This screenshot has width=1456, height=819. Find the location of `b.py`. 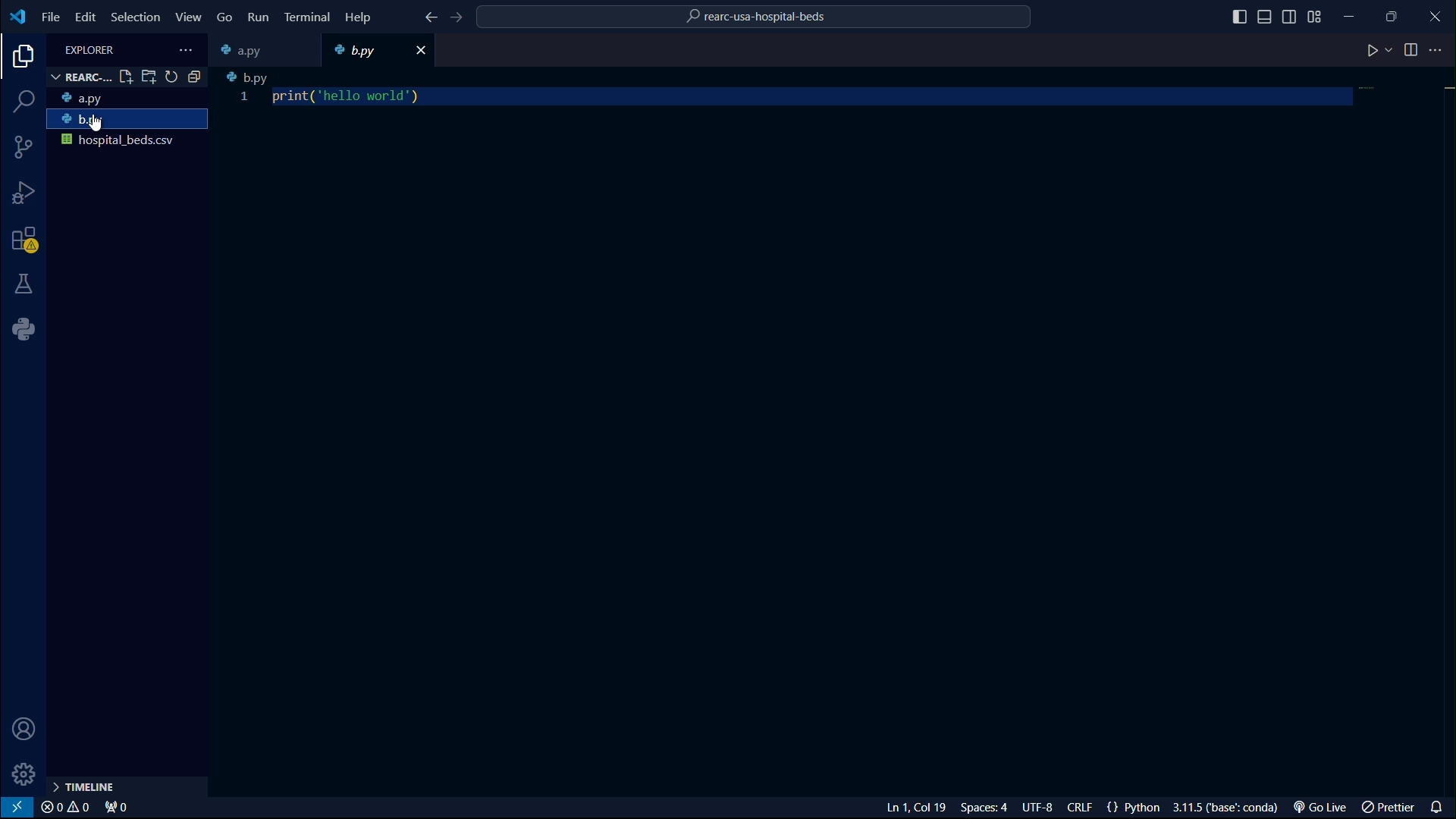

b.py is located at coordinates (125, 123).